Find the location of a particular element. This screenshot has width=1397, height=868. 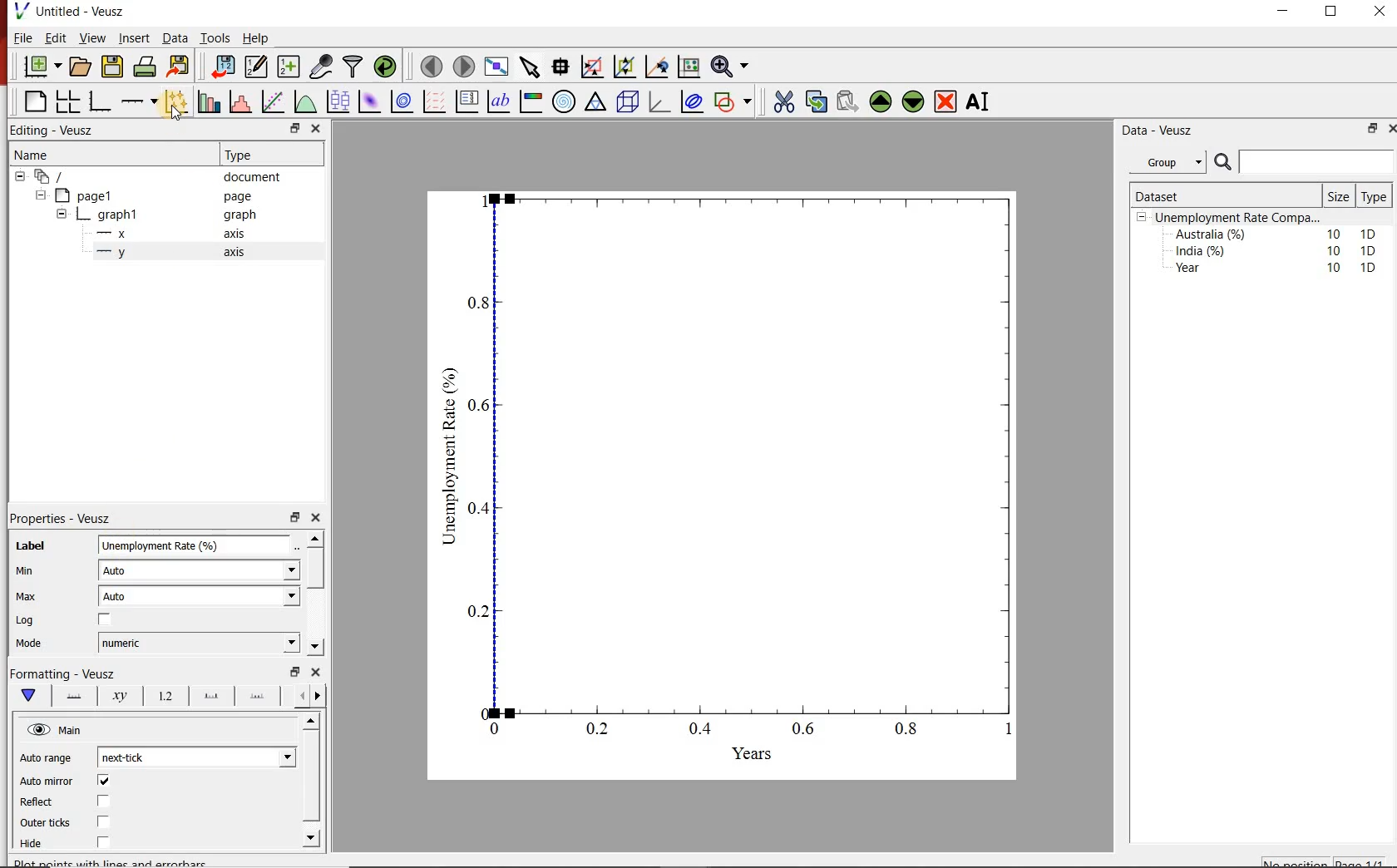

zoom funtions is located at coordinates (733, 65).